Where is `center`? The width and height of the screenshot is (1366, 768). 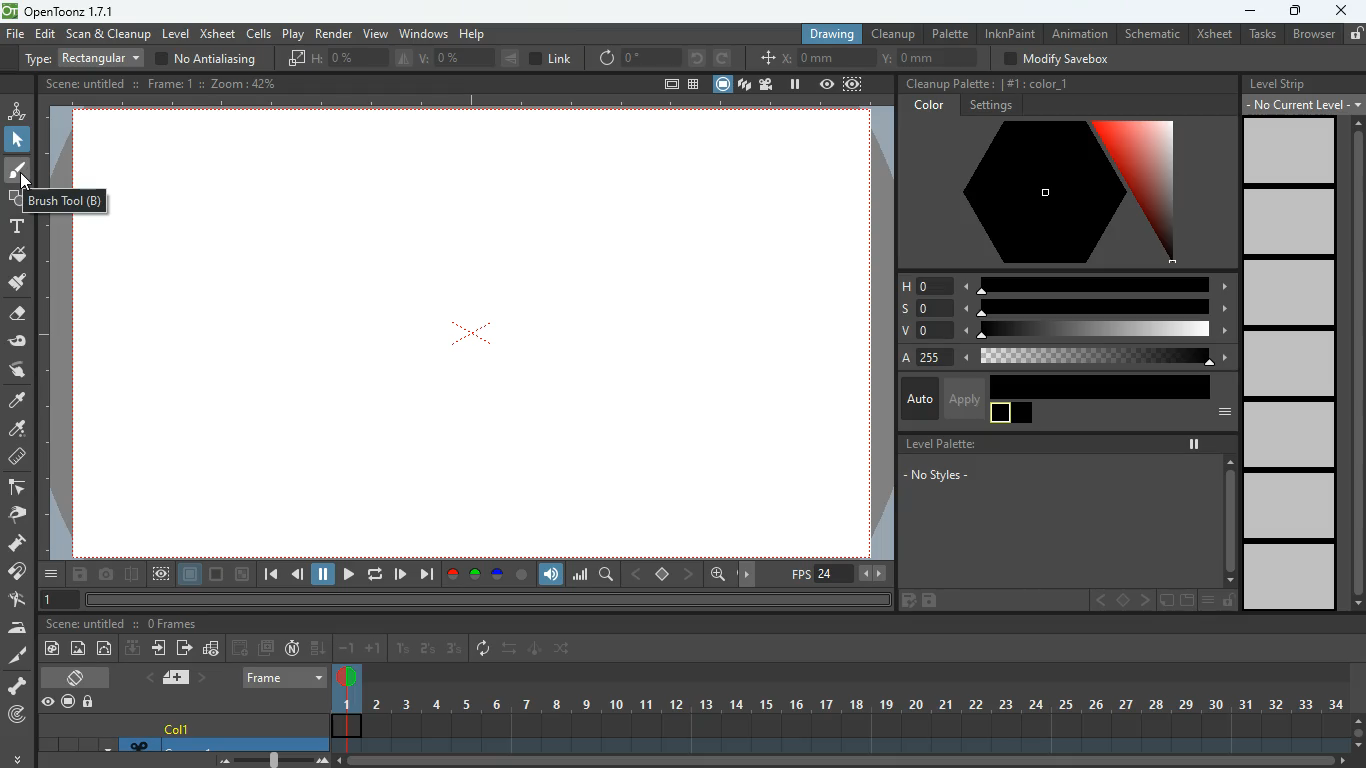 center is located at coordinates (663, 573).